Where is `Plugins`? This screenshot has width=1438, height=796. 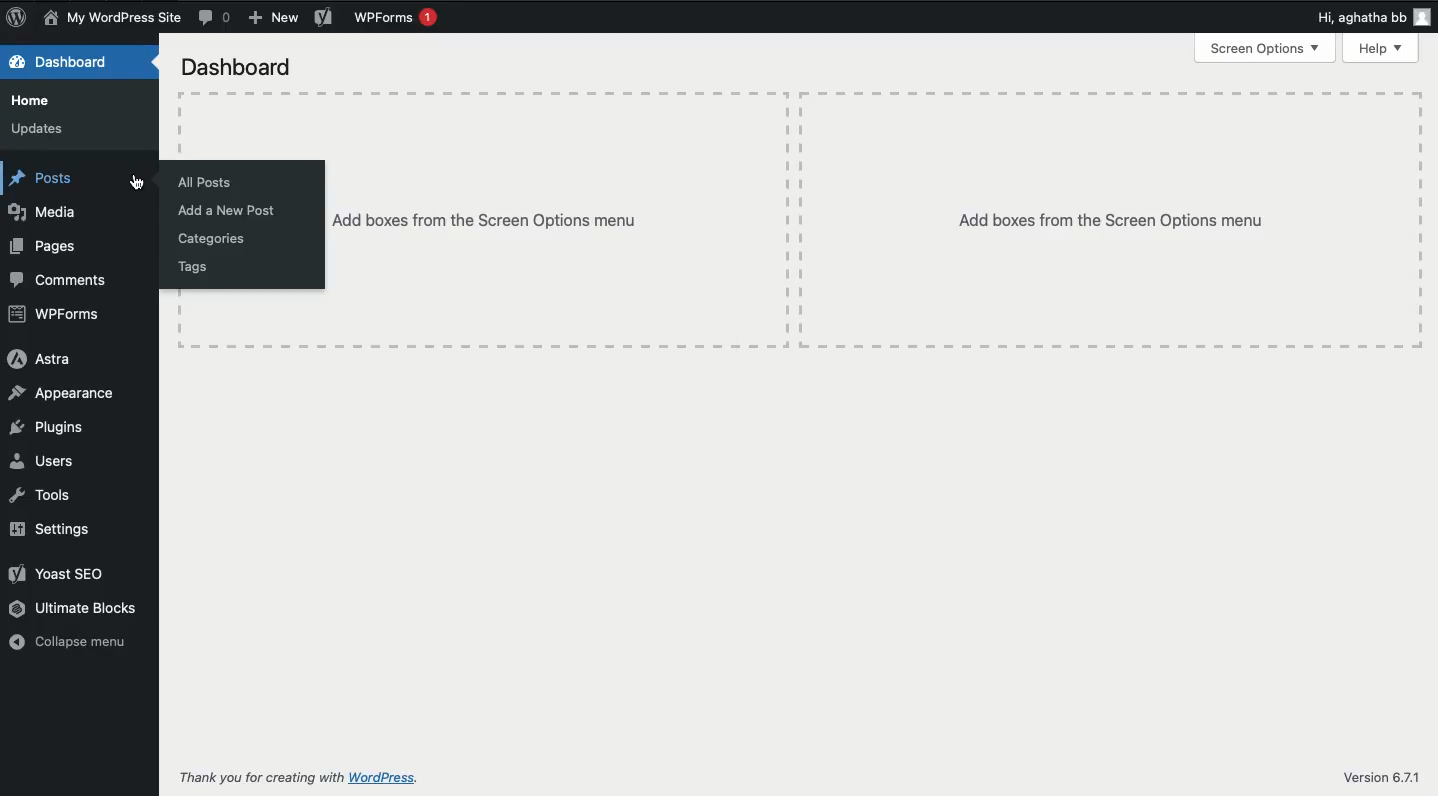
Plugins is located at coordinates (52, 427).